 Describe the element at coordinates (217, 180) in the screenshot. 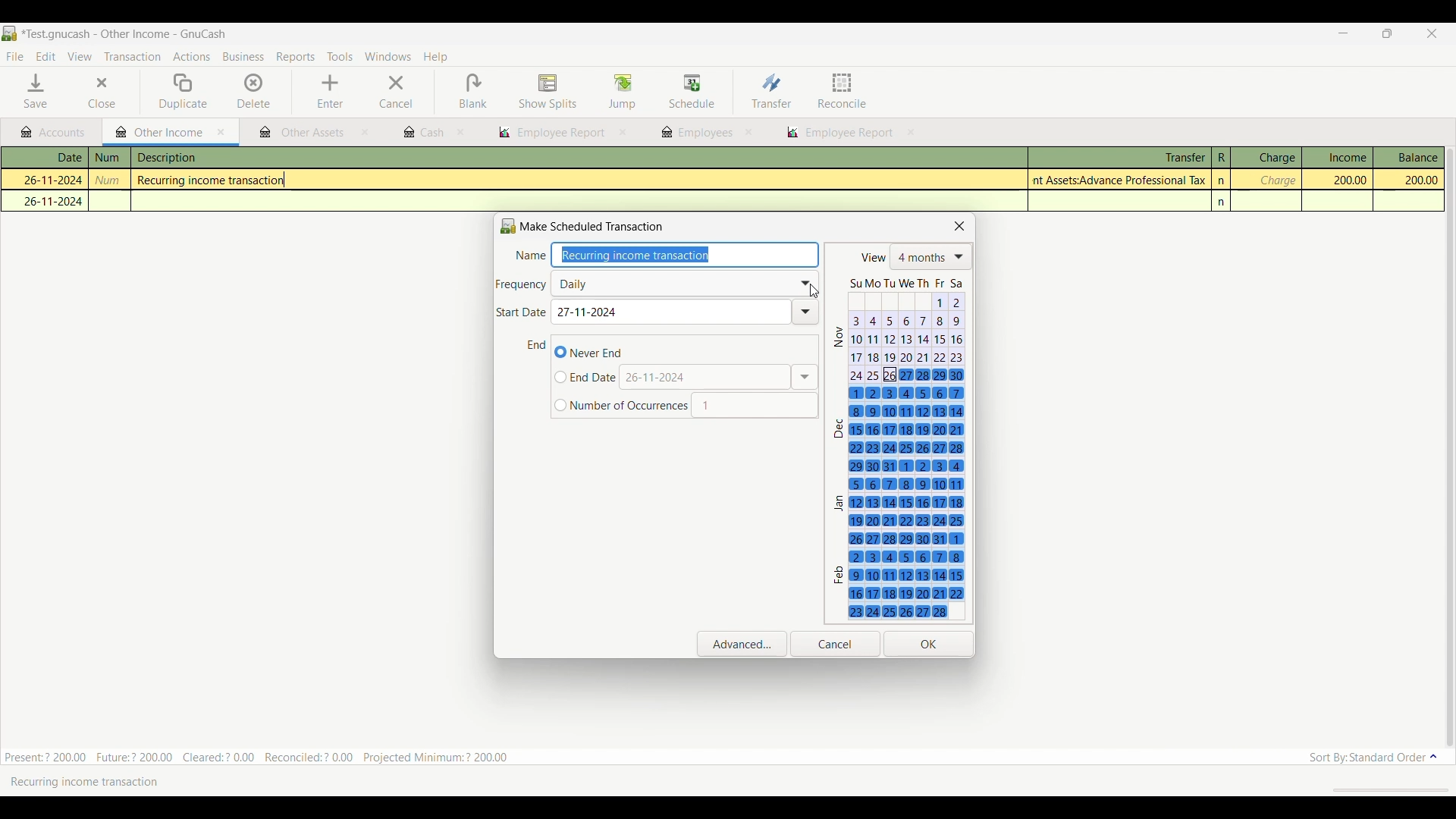

I see `Recurring income transaction` at that location.